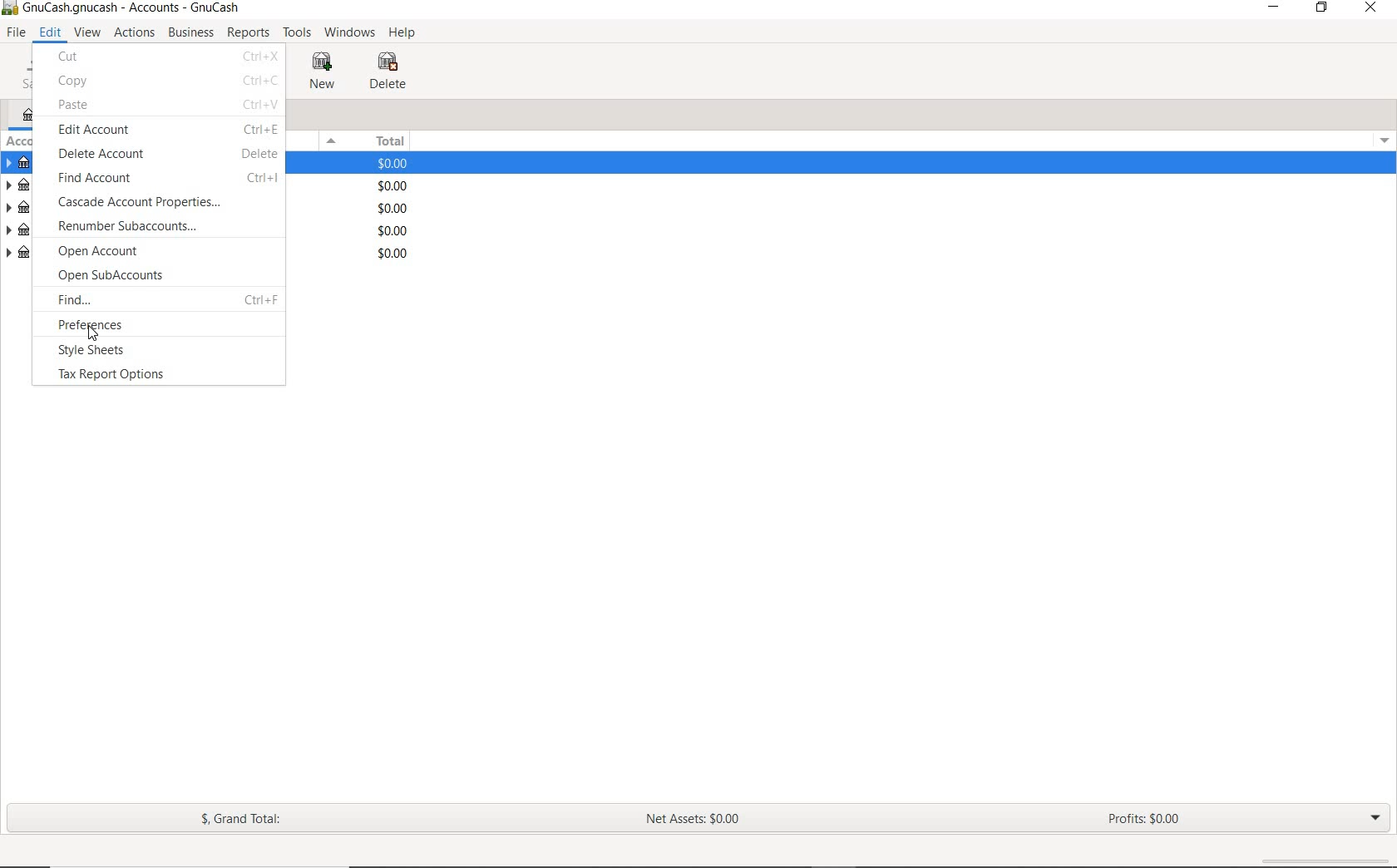 The width and height of the screenshot is (1397, 868). What do you see at coordinates (1373, 9) in the screenshot?
I see `CLOSE` at bounding box center [1373, 9].